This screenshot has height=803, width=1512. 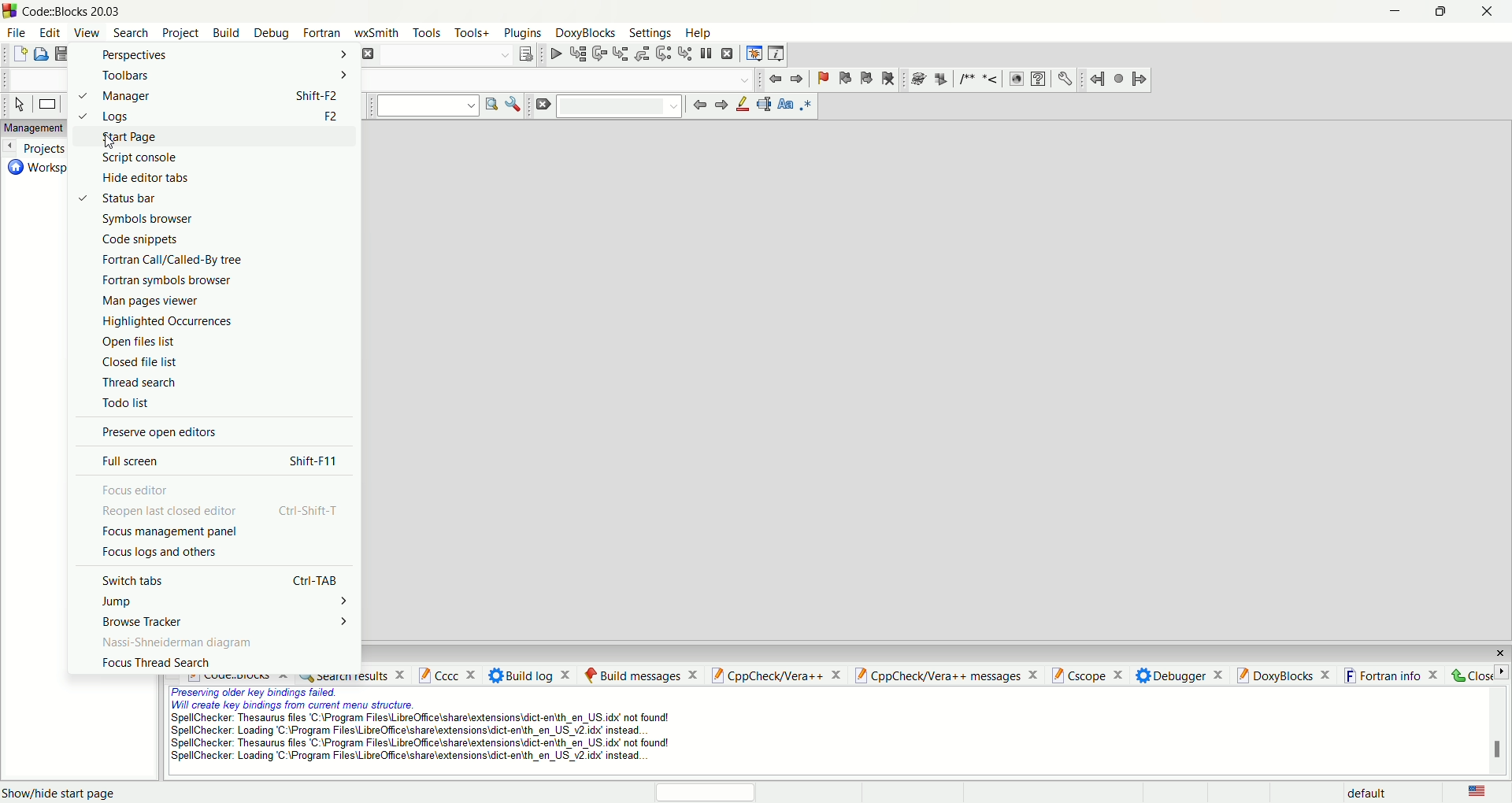 I want to click on cscope, so click(x=1088, y=676).